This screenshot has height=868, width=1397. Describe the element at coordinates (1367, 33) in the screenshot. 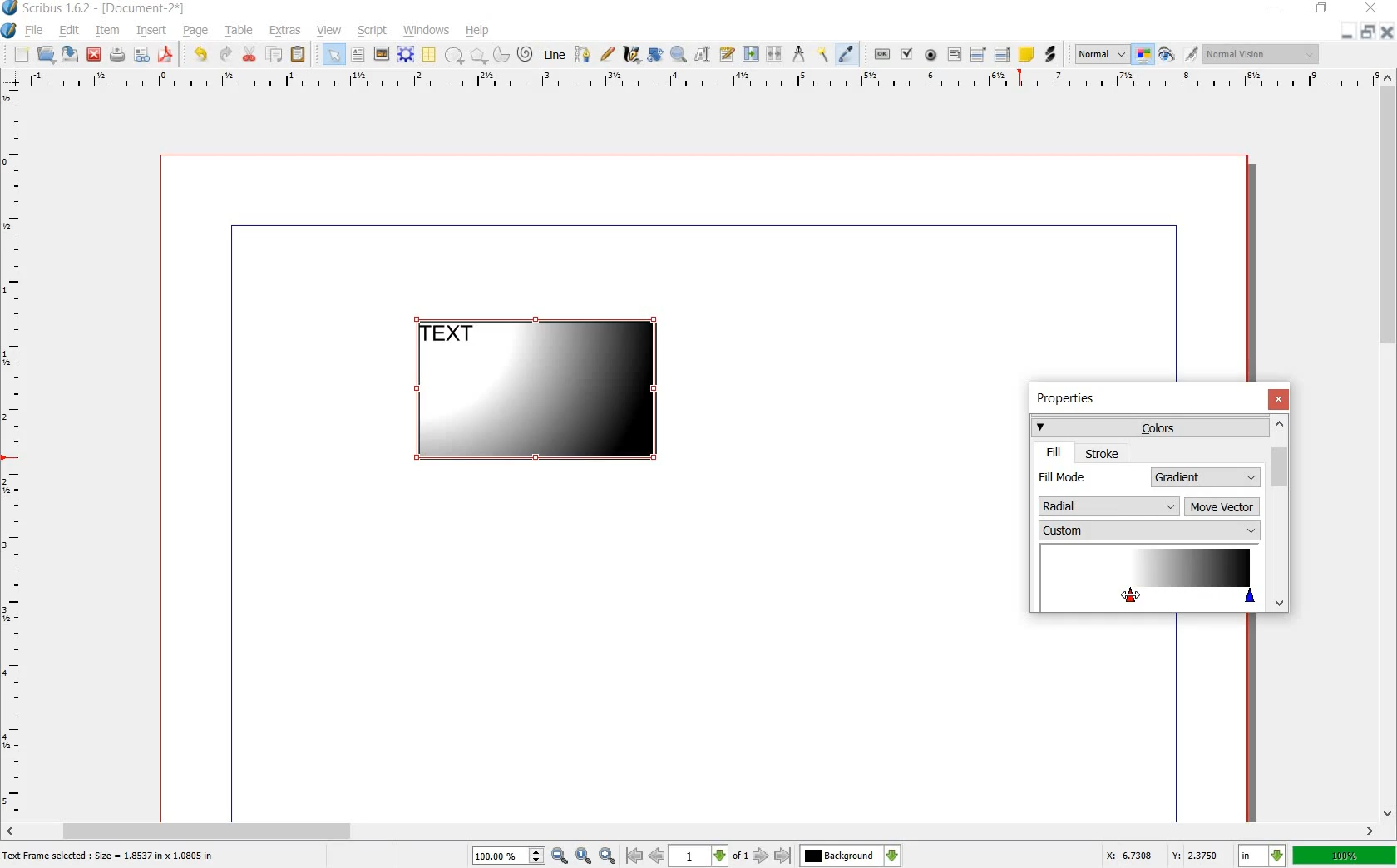

I see `restore` at that location.